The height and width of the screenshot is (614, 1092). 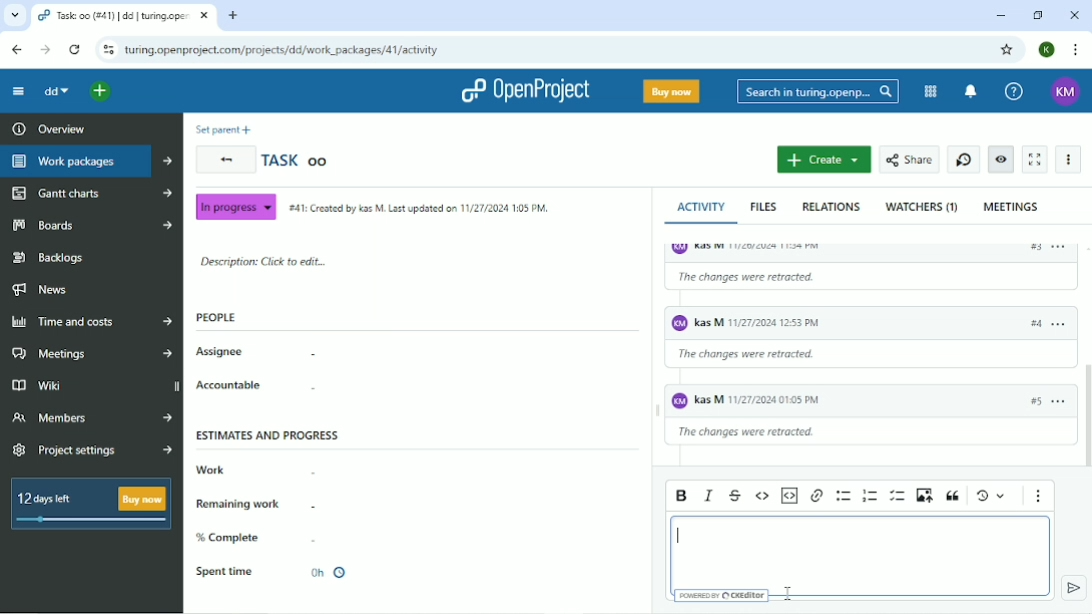 What do you see at coordinates (87, 503) in the screenshot?
I see `12 days left Buy now` at bounding box center [87, 503].